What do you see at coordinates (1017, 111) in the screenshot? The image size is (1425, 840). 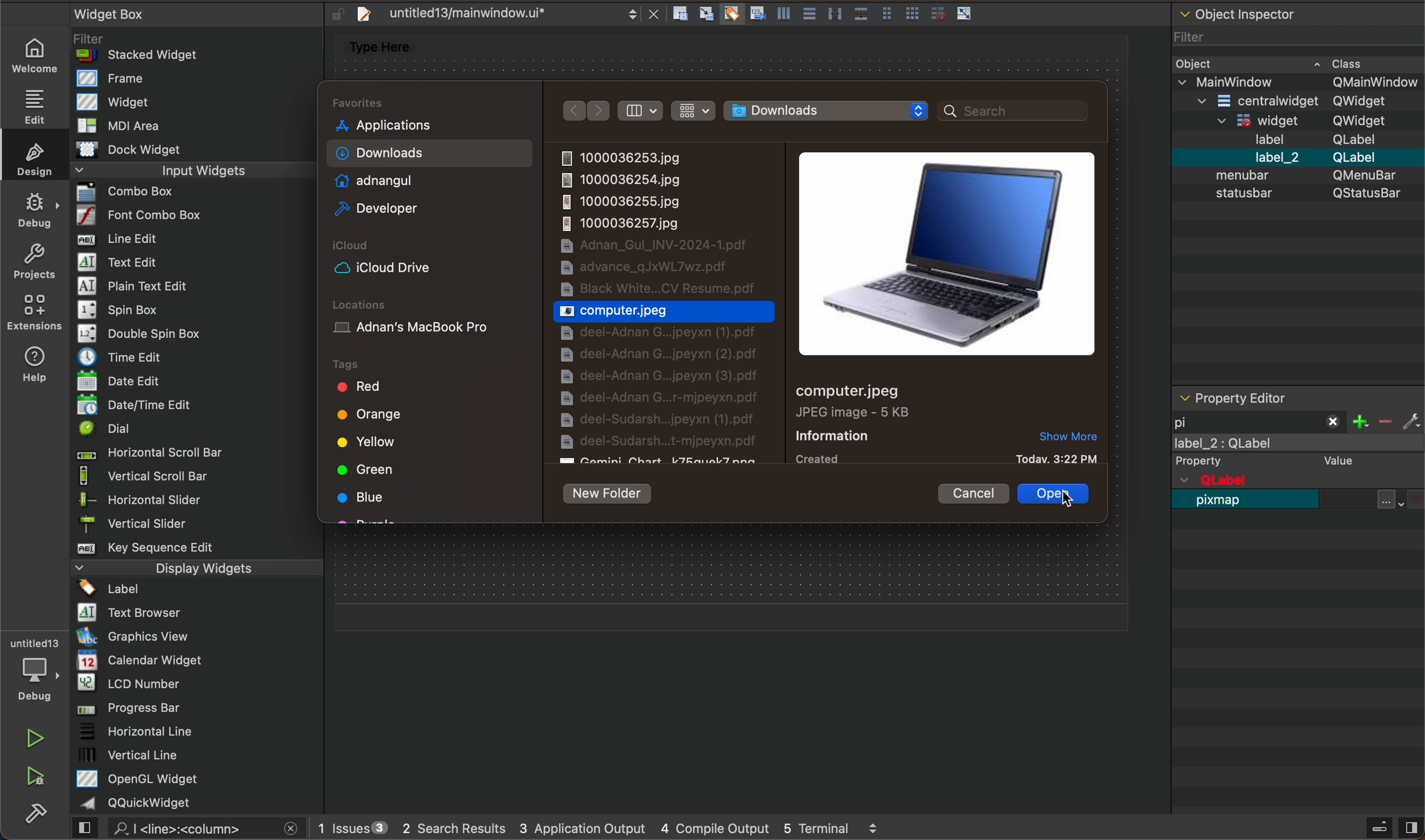 I see `search` at bounding box center [1017, 111].